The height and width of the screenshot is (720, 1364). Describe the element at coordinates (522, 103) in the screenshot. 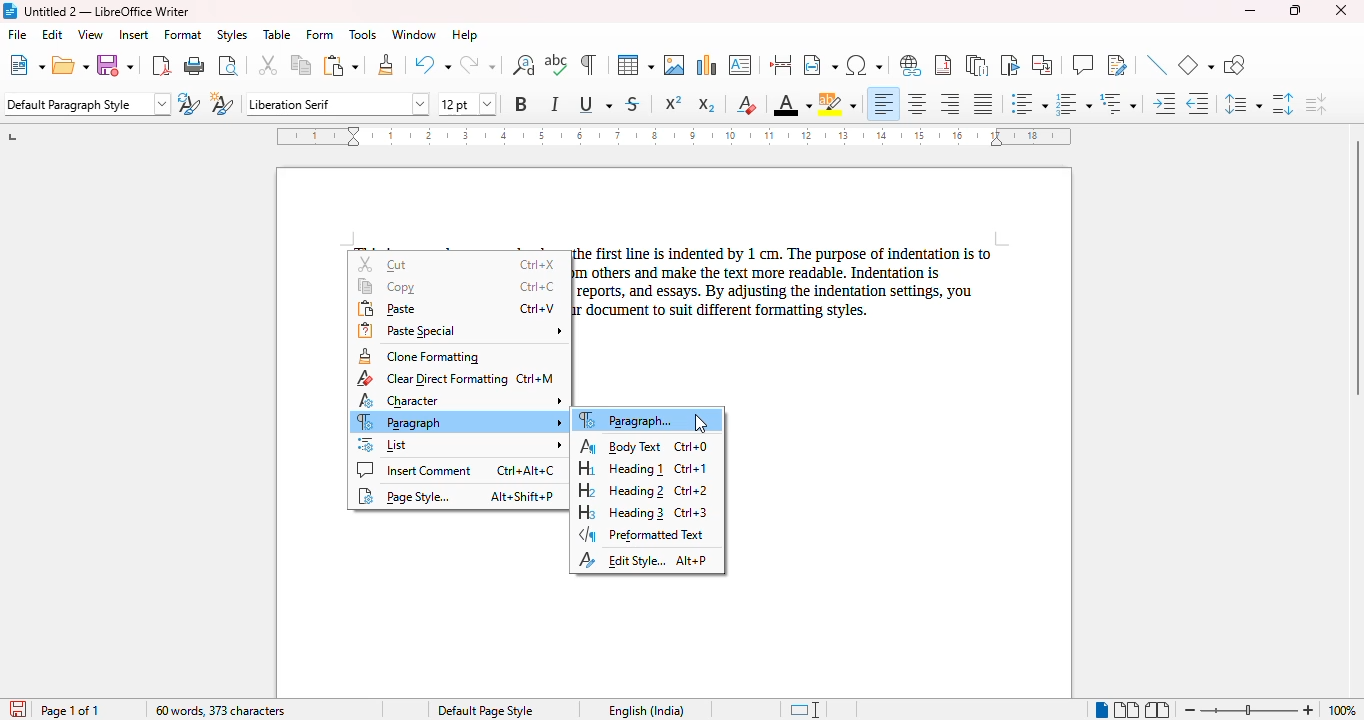

I see `bold` at that location.